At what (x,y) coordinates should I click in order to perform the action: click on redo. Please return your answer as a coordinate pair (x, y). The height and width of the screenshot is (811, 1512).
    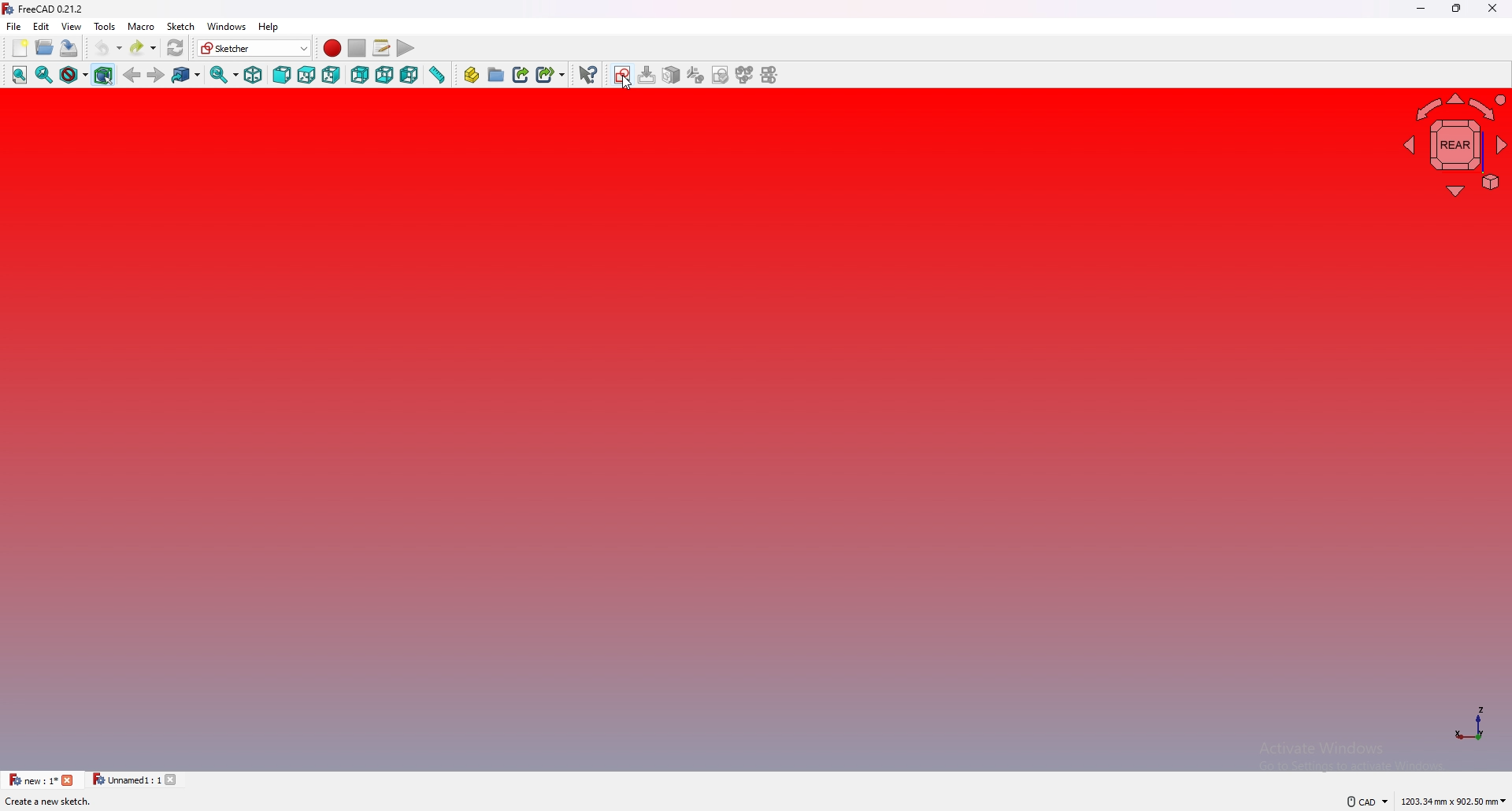
    Looking at the image, I should click on (145, 47).